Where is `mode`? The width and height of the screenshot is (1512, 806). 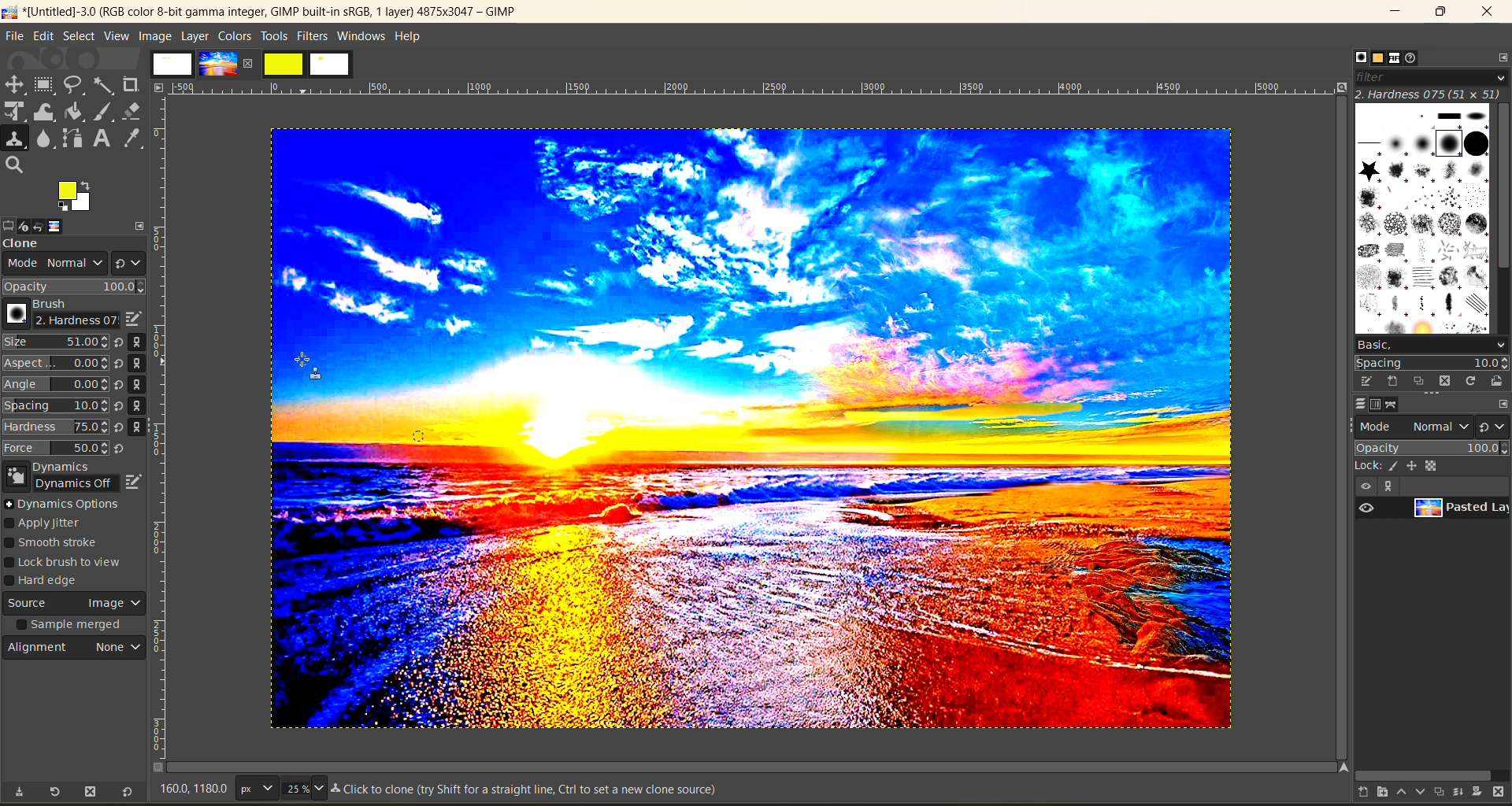
mode is located at coordinates (50, 265).